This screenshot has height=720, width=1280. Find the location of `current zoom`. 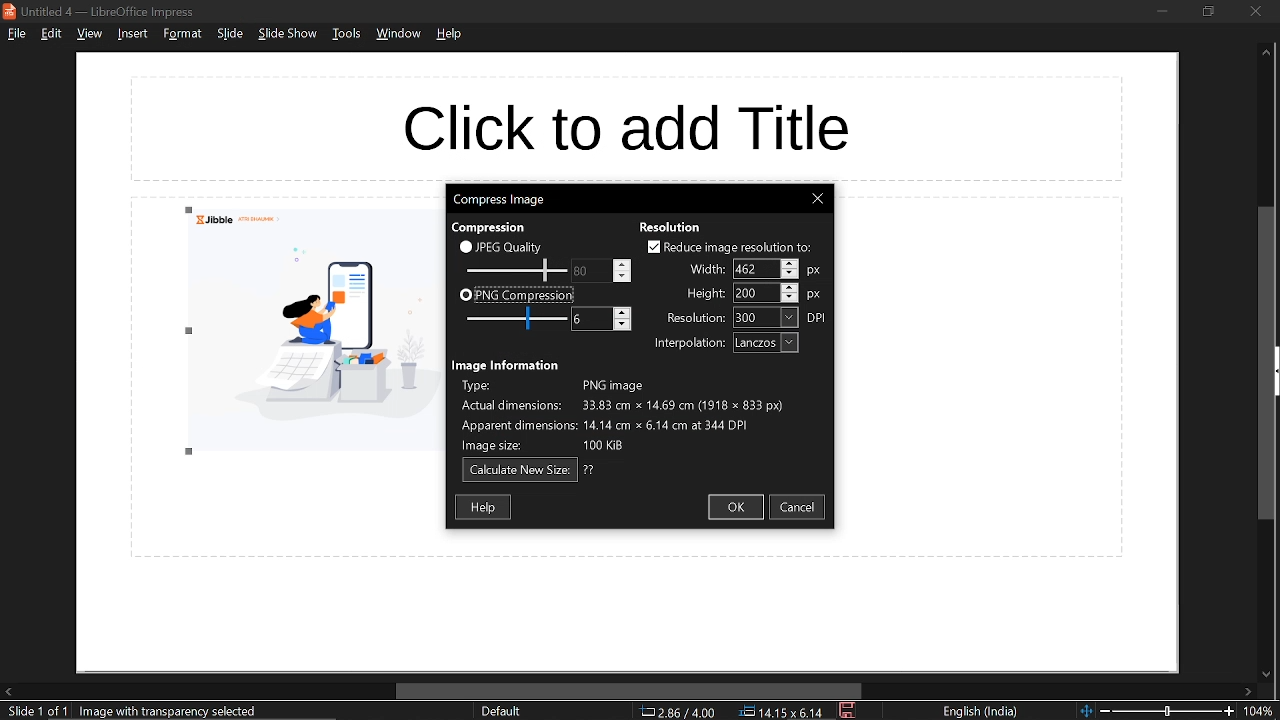

current zoom is located at coordinates (1262, 712).